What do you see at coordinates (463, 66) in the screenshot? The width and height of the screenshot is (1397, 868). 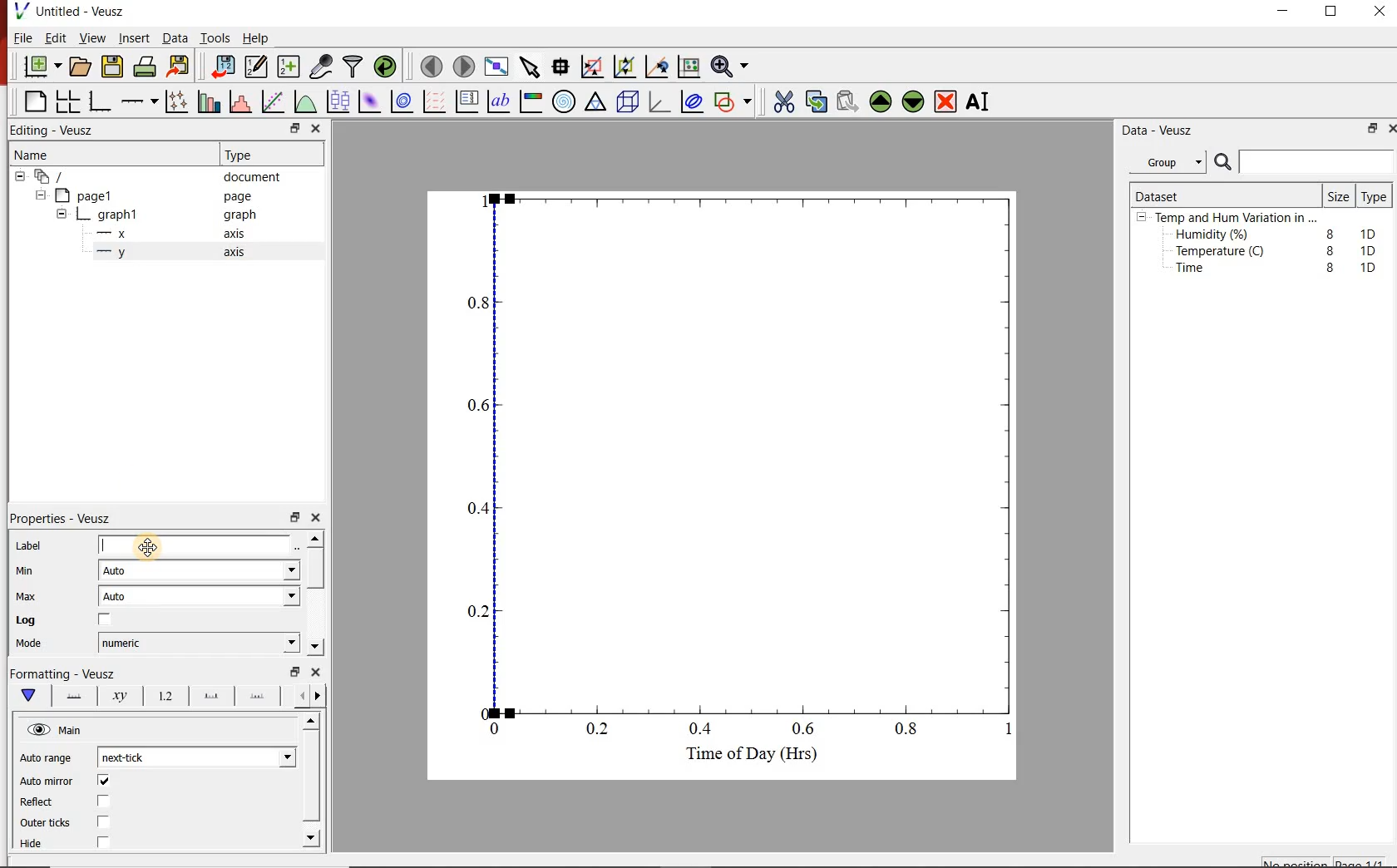 I see `move to the next page` at bounding box center [463, 66].